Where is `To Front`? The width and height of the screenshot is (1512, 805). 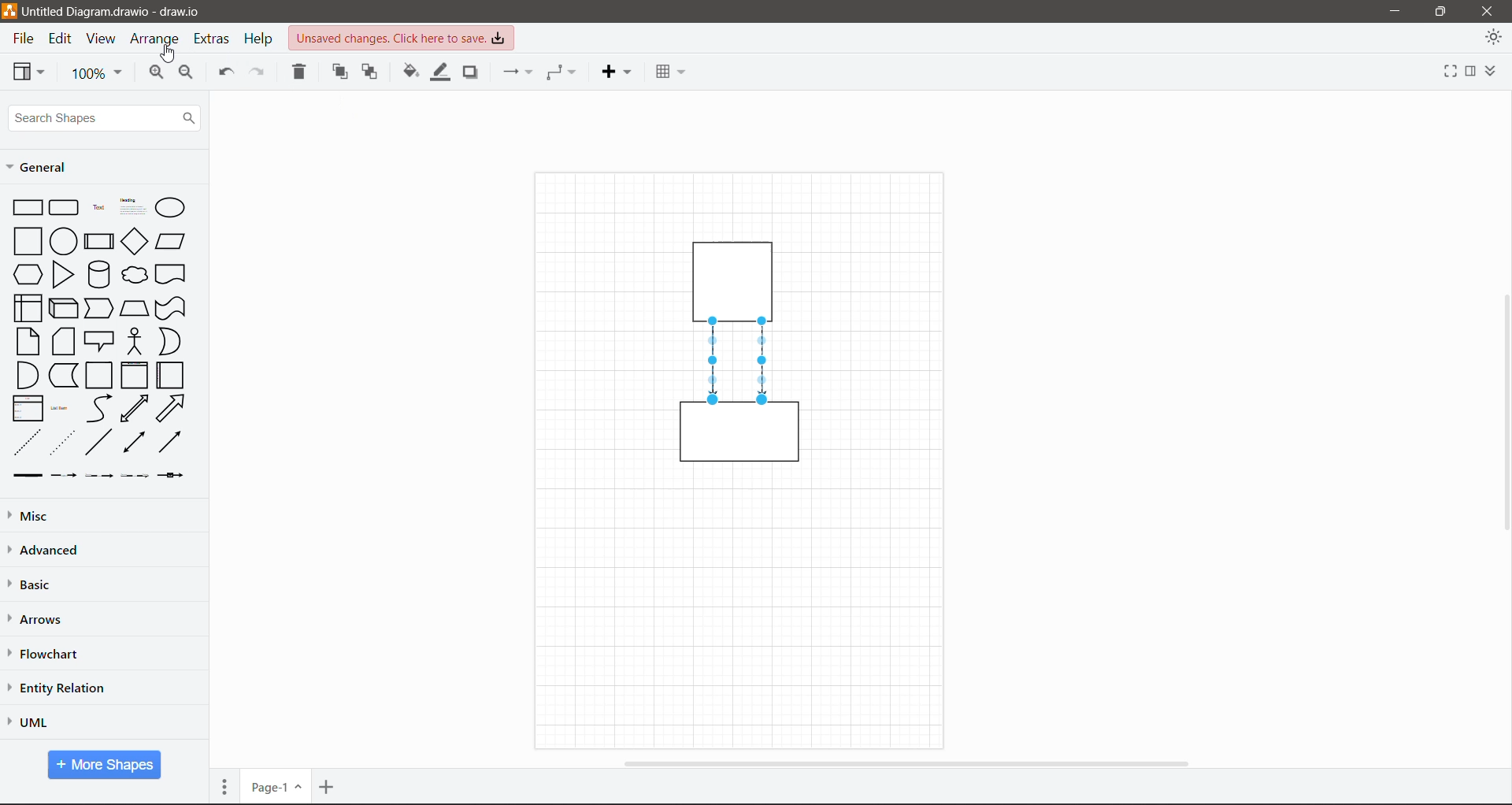
To Front is located at coordinates (341, 72).